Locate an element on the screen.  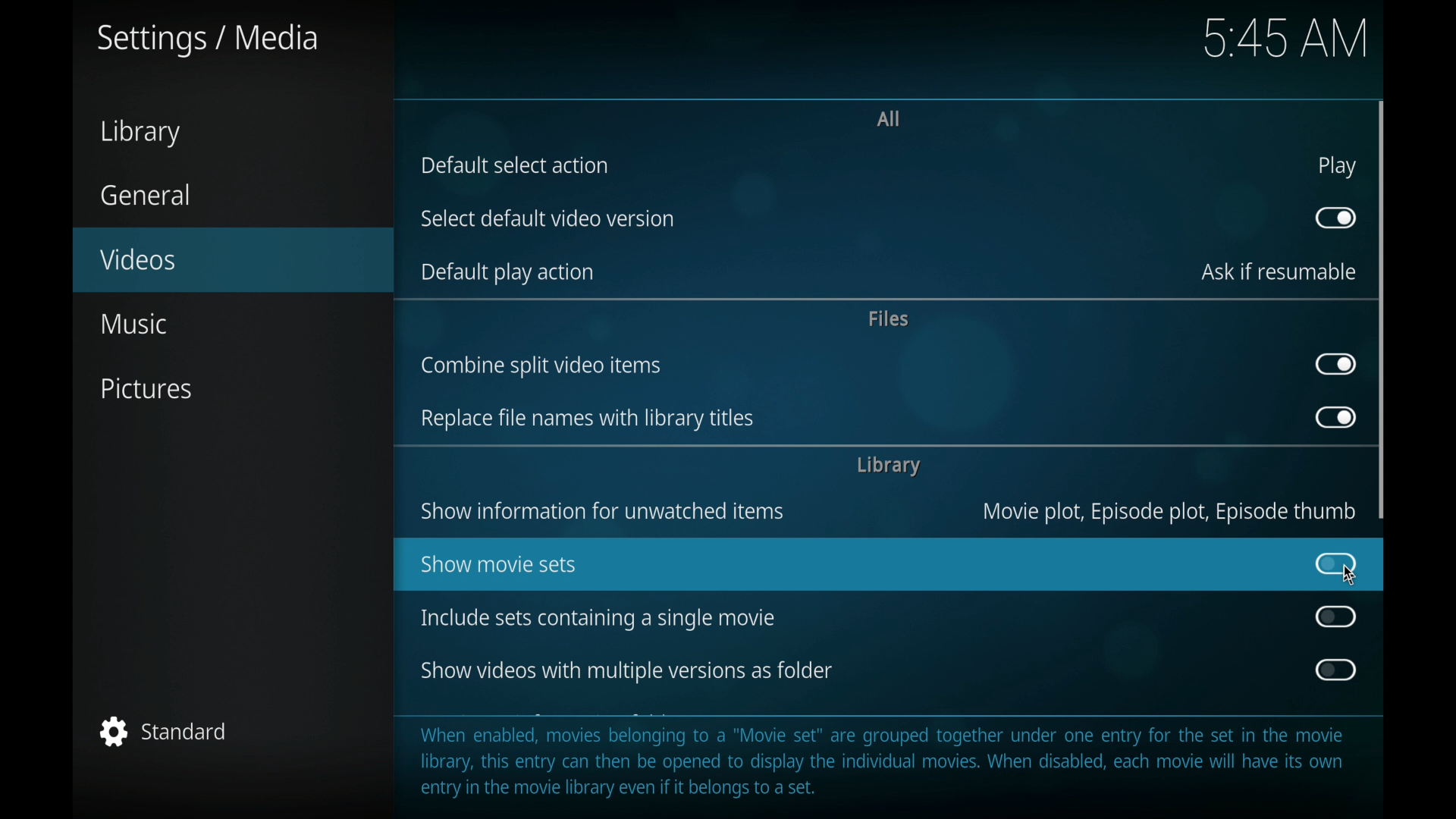
toggle button is located at coordinates (1336, 617).